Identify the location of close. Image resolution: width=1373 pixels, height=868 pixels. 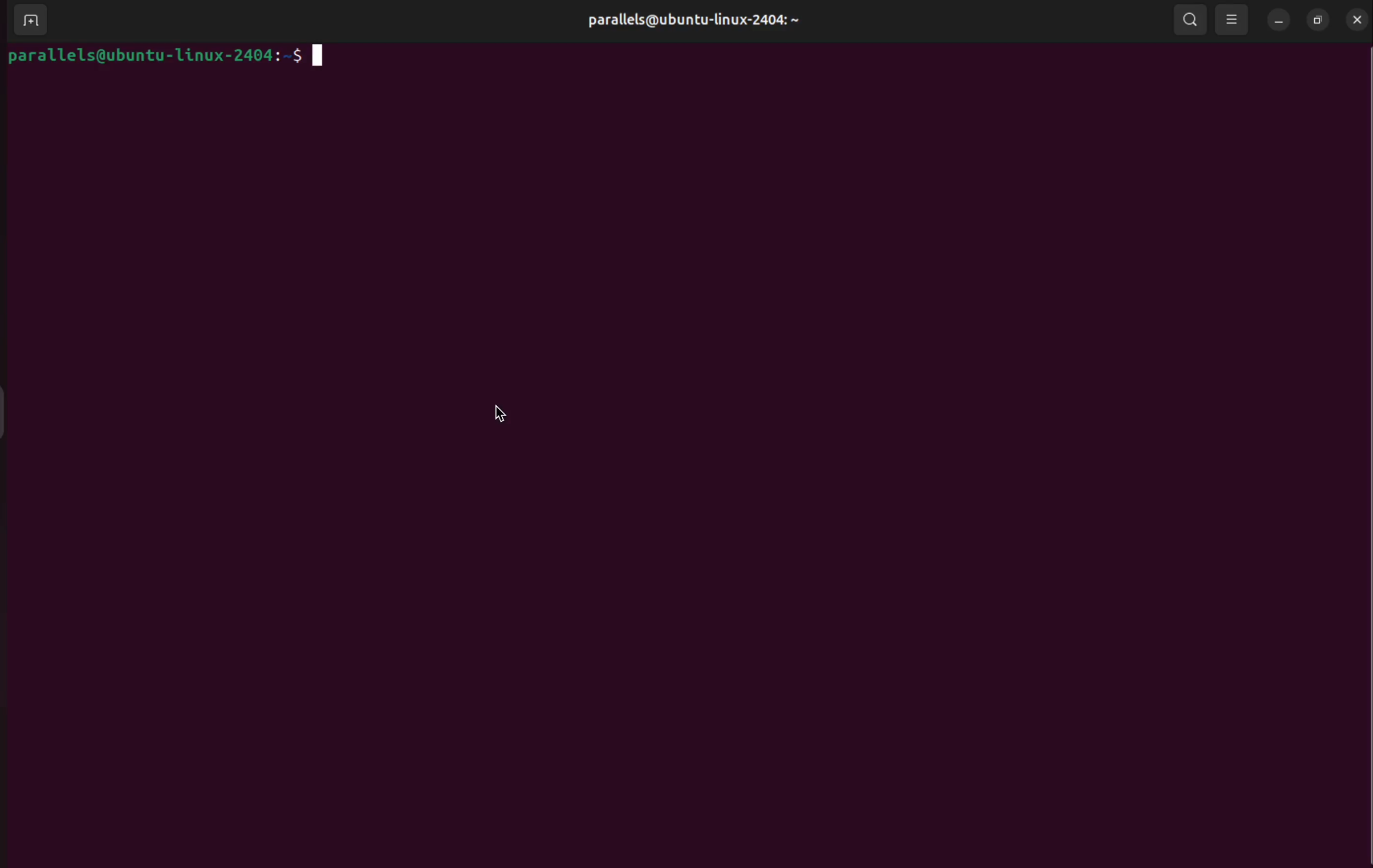
(1356, 20).